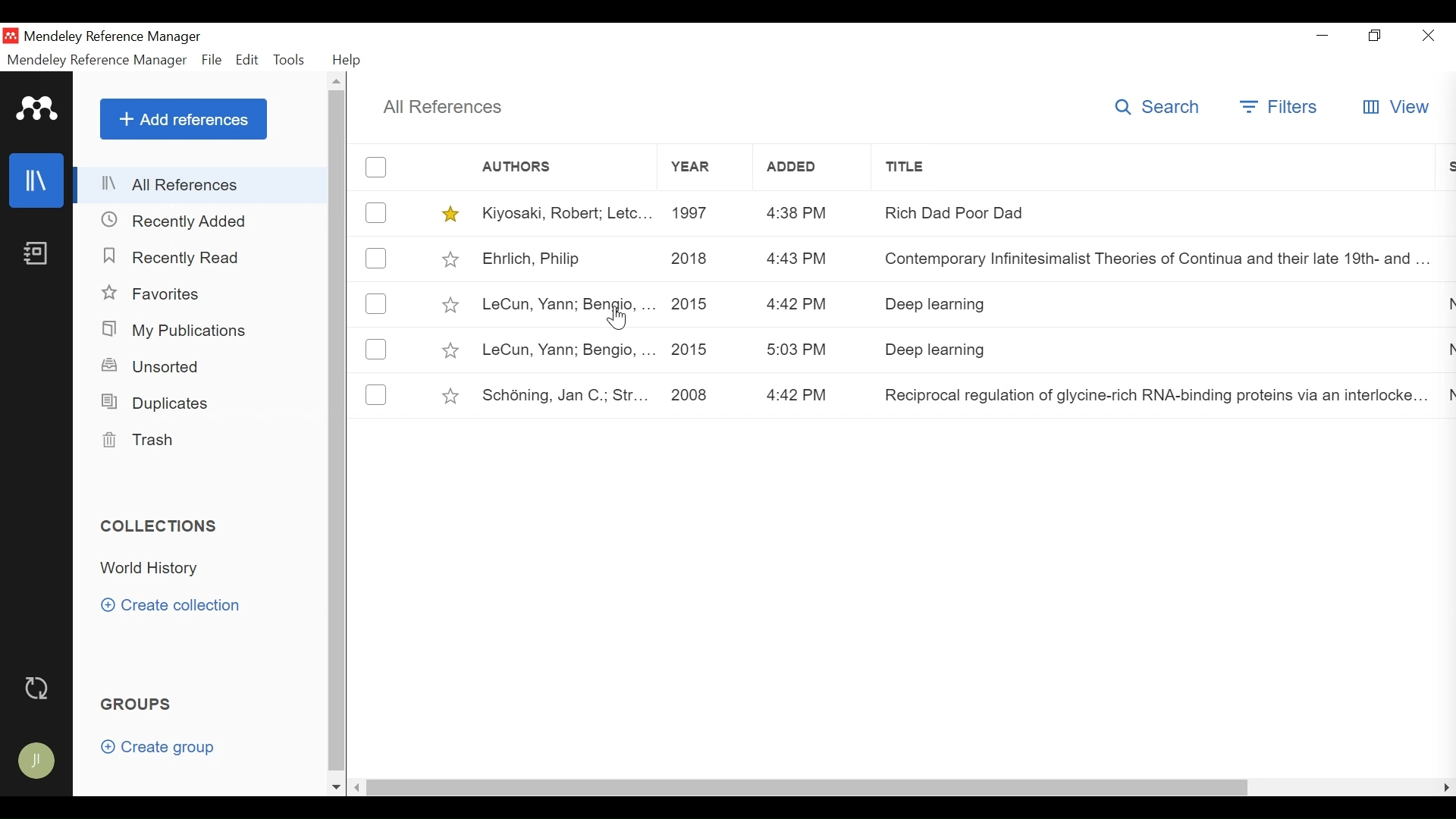  What do you see at coordinates (375, 349) in the screenshot?
I see `(un)select` at bounding box center [375, 349].